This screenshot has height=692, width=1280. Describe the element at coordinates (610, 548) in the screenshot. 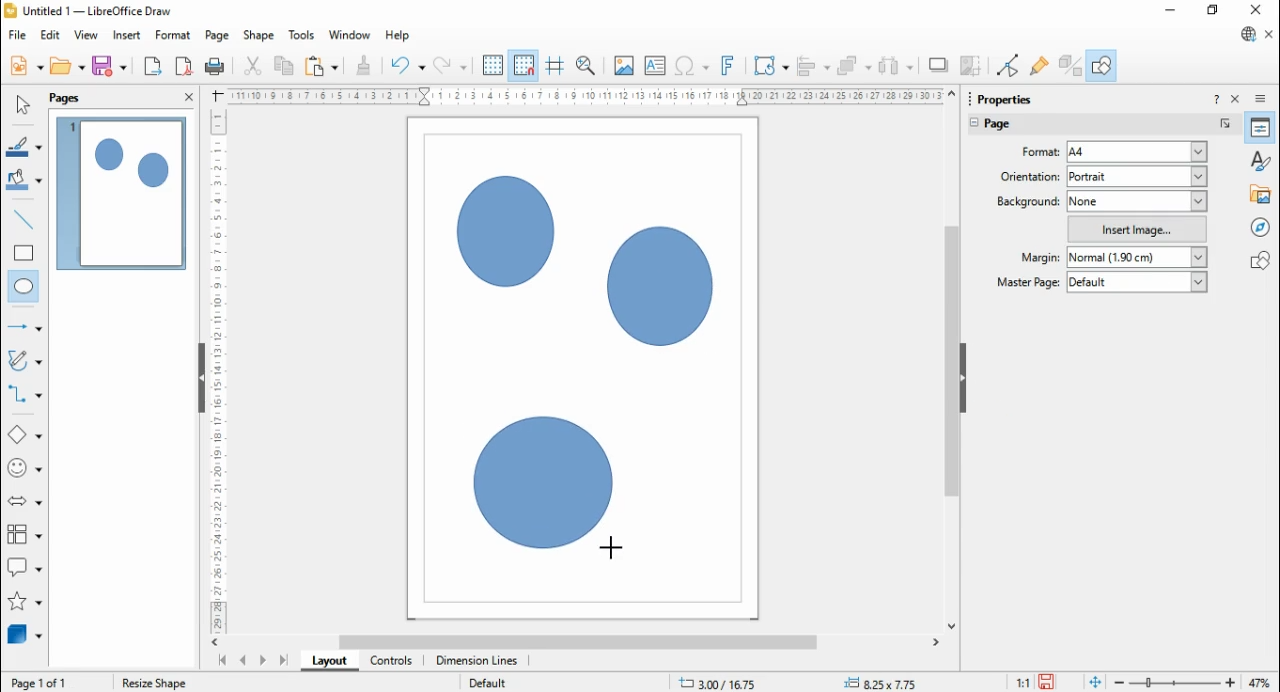

I see `Cursor` at that location.